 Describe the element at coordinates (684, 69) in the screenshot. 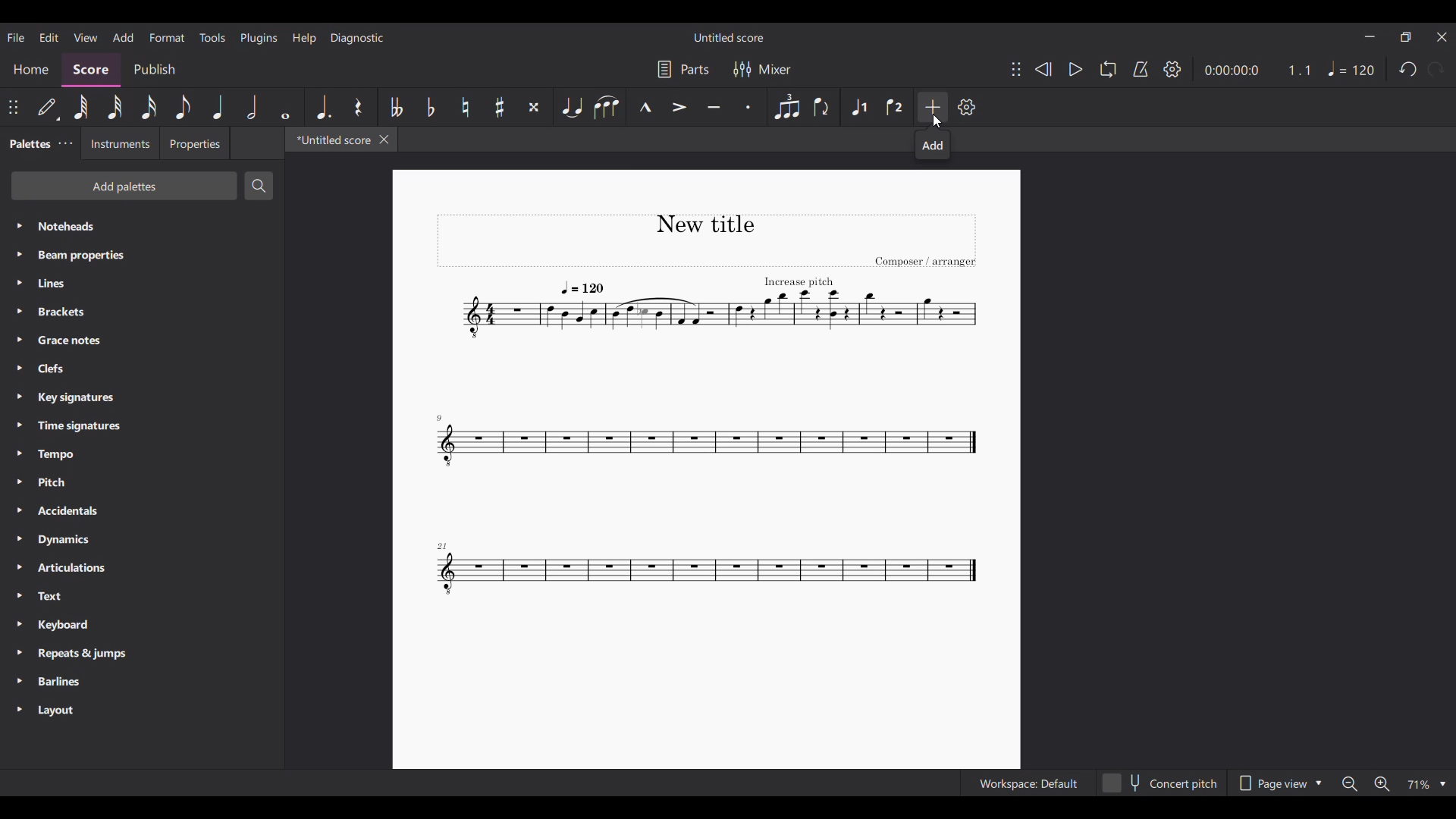

I see `Parts settings` at that location.